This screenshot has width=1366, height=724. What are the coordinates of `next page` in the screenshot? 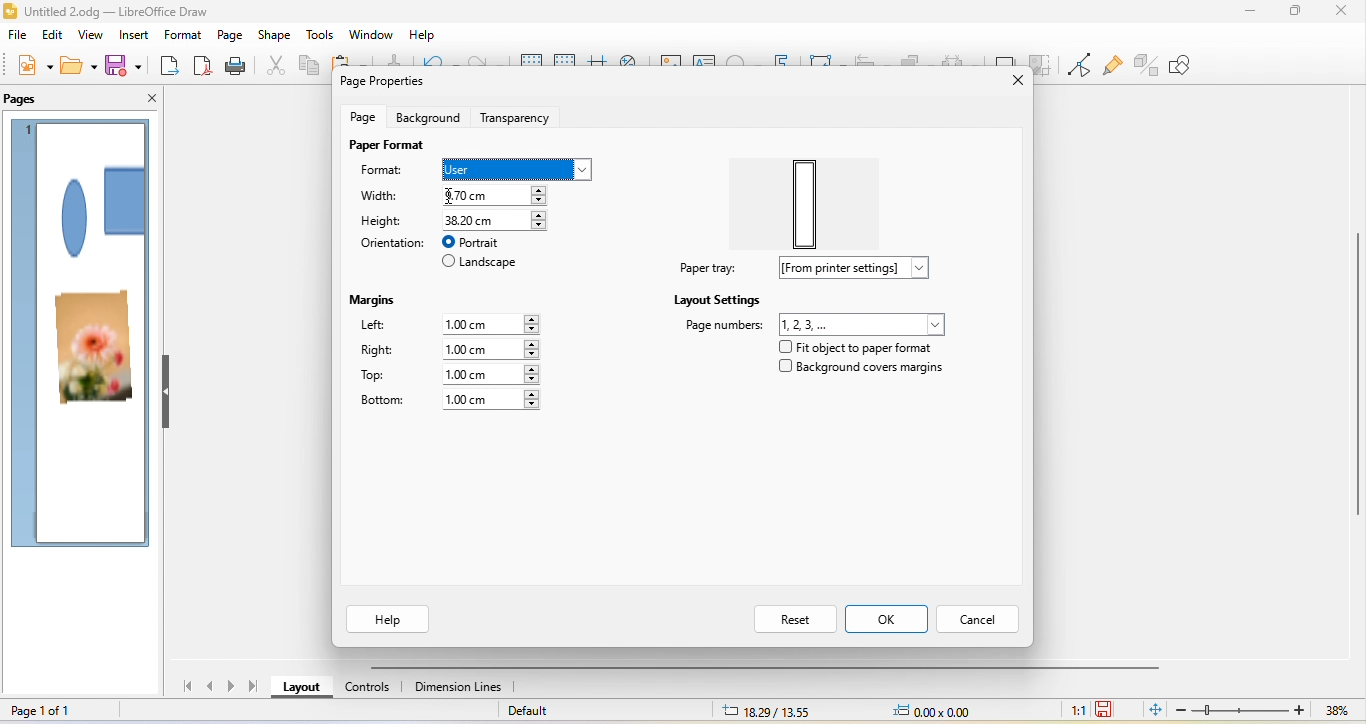 It's located at (232, 687).